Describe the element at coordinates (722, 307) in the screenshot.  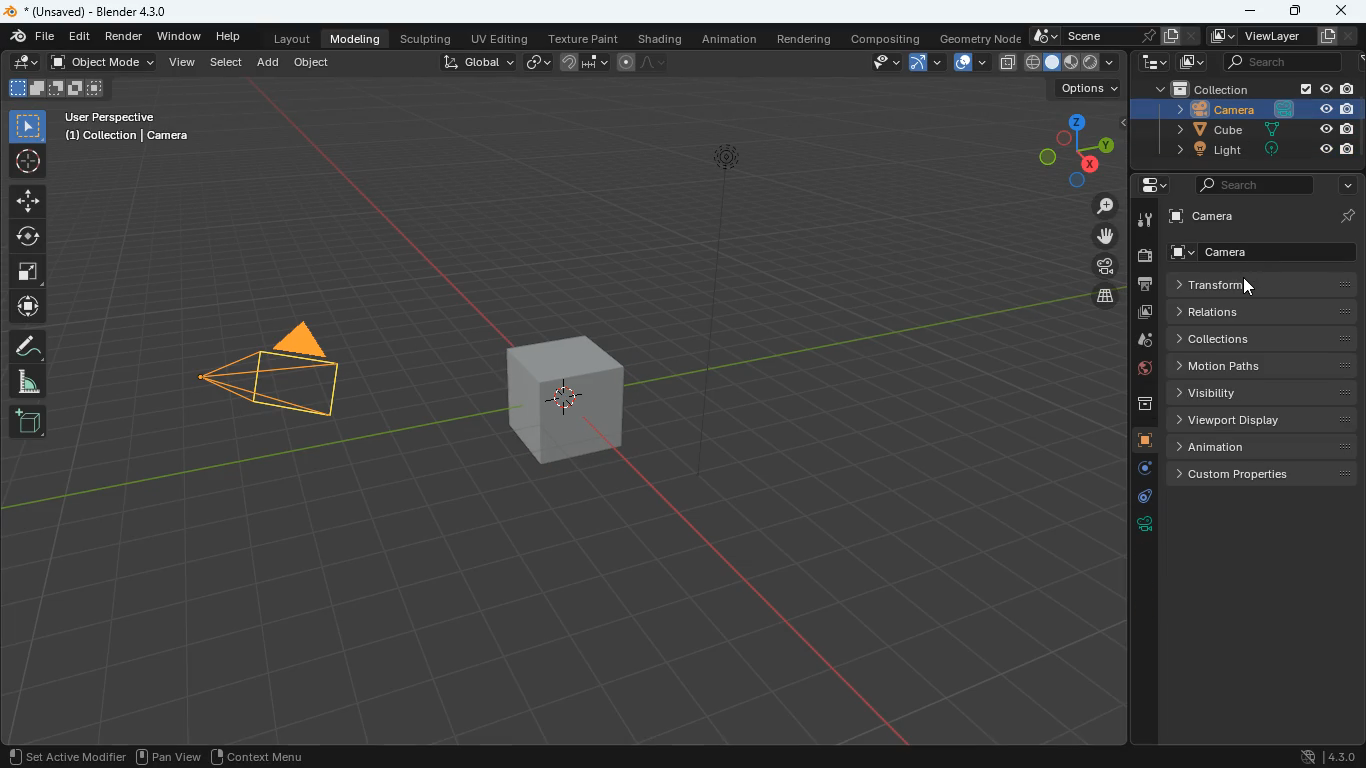
I see `line object` at that location.